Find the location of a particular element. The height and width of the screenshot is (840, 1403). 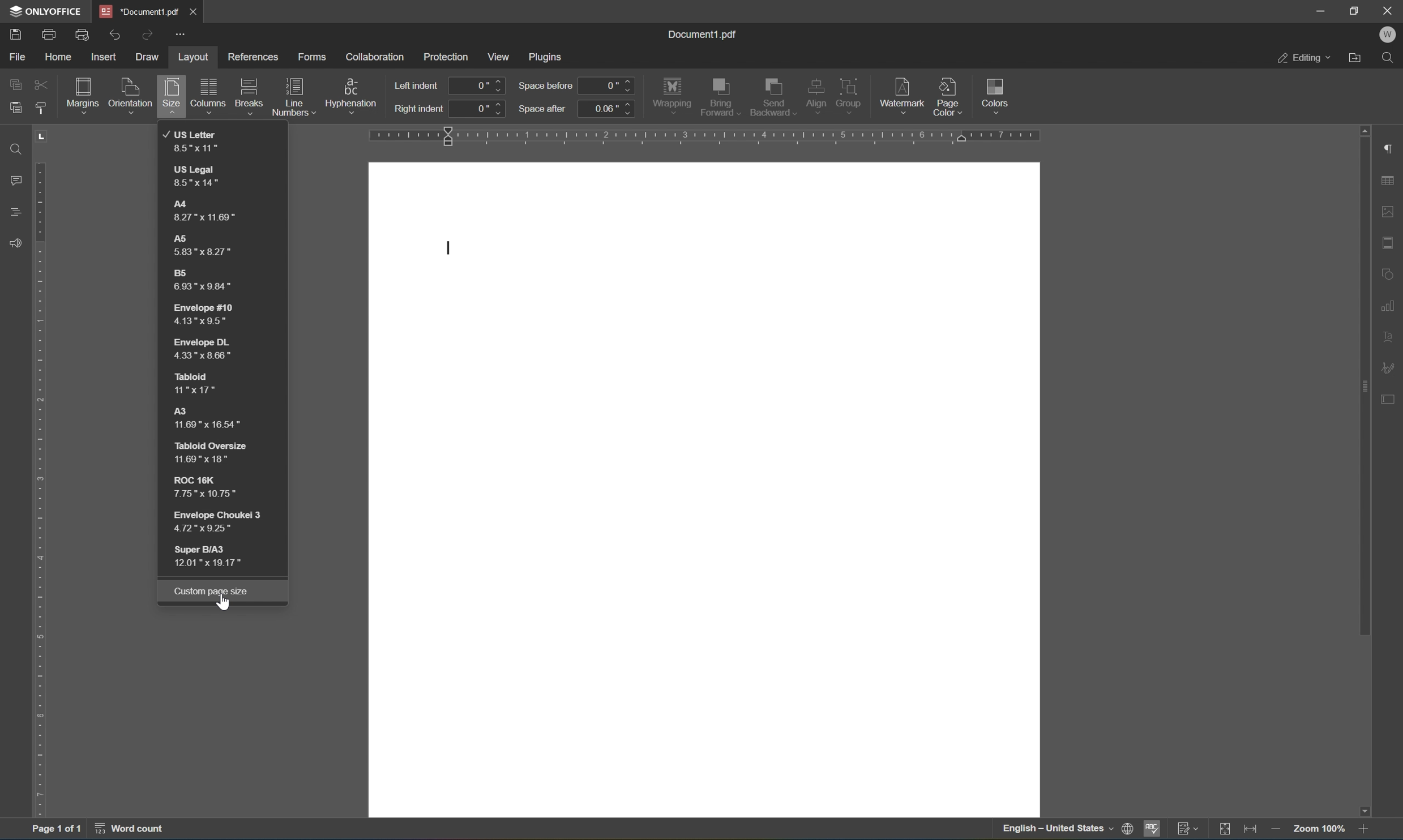

copy style is located at coordinates (41, 108).